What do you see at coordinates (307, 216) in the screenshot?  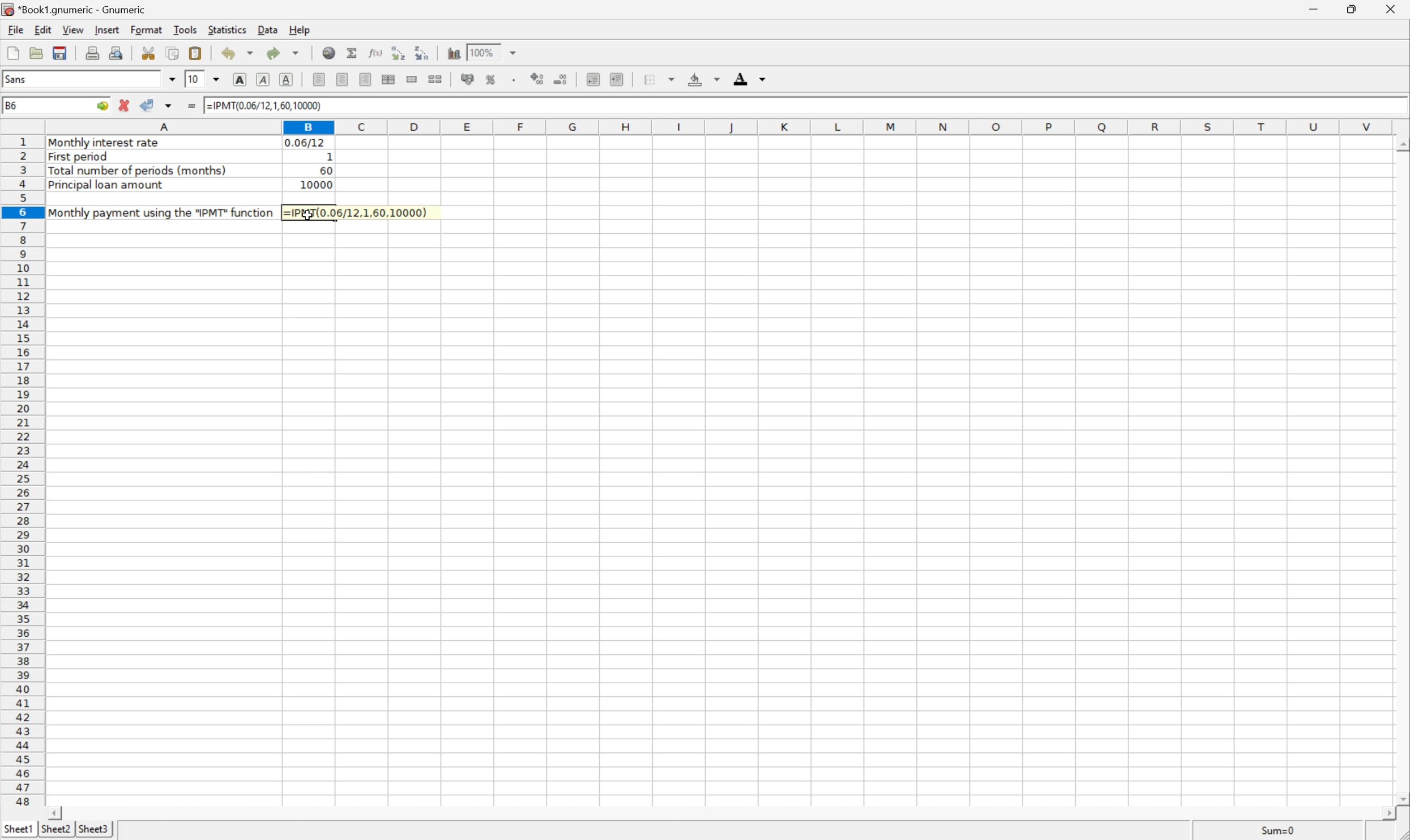 I see `Cursor` at bounding box center [307, 216].